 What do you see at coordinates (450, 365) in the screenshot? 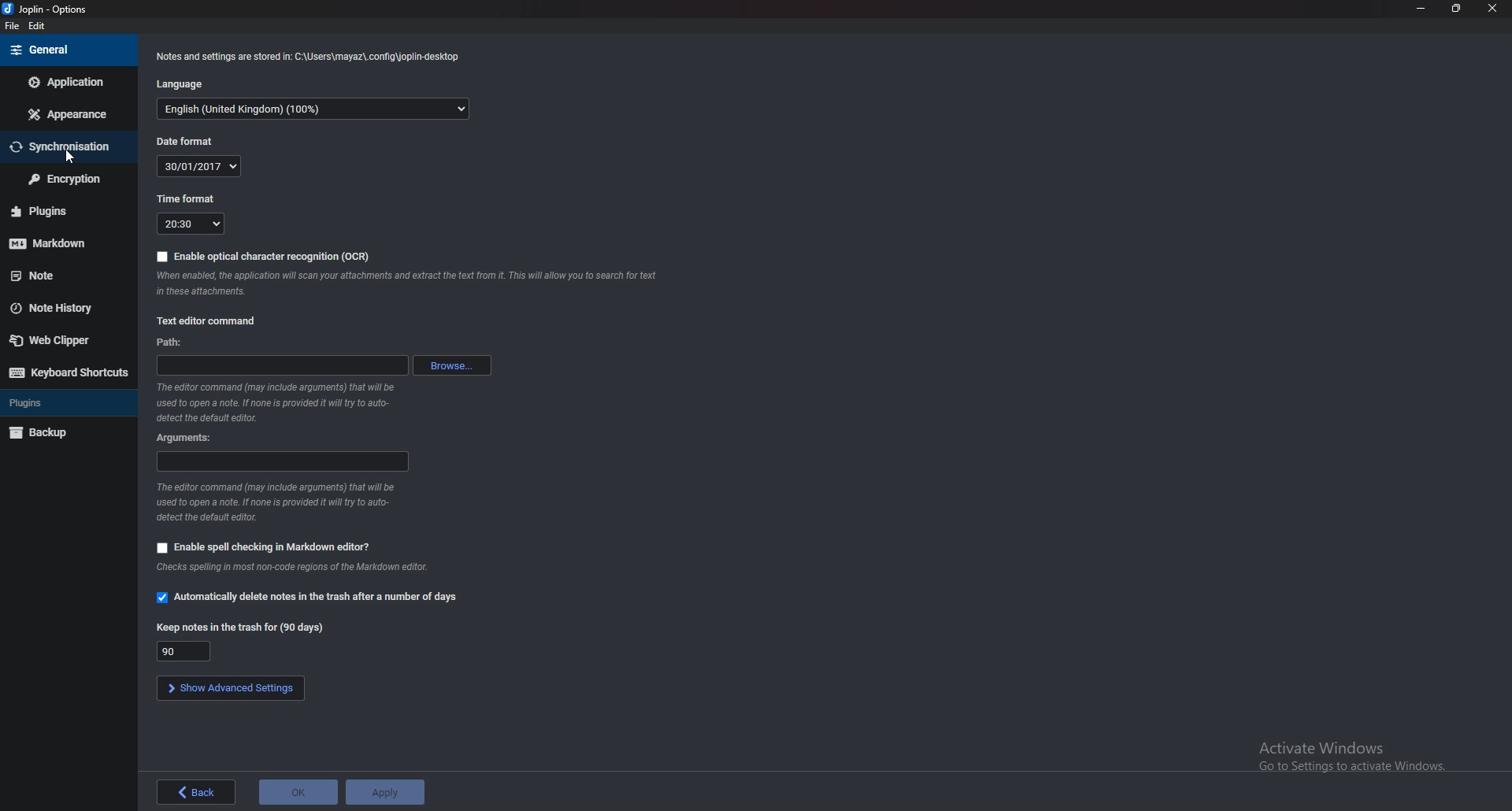
I see `browse` at bounding box center [450, 365].